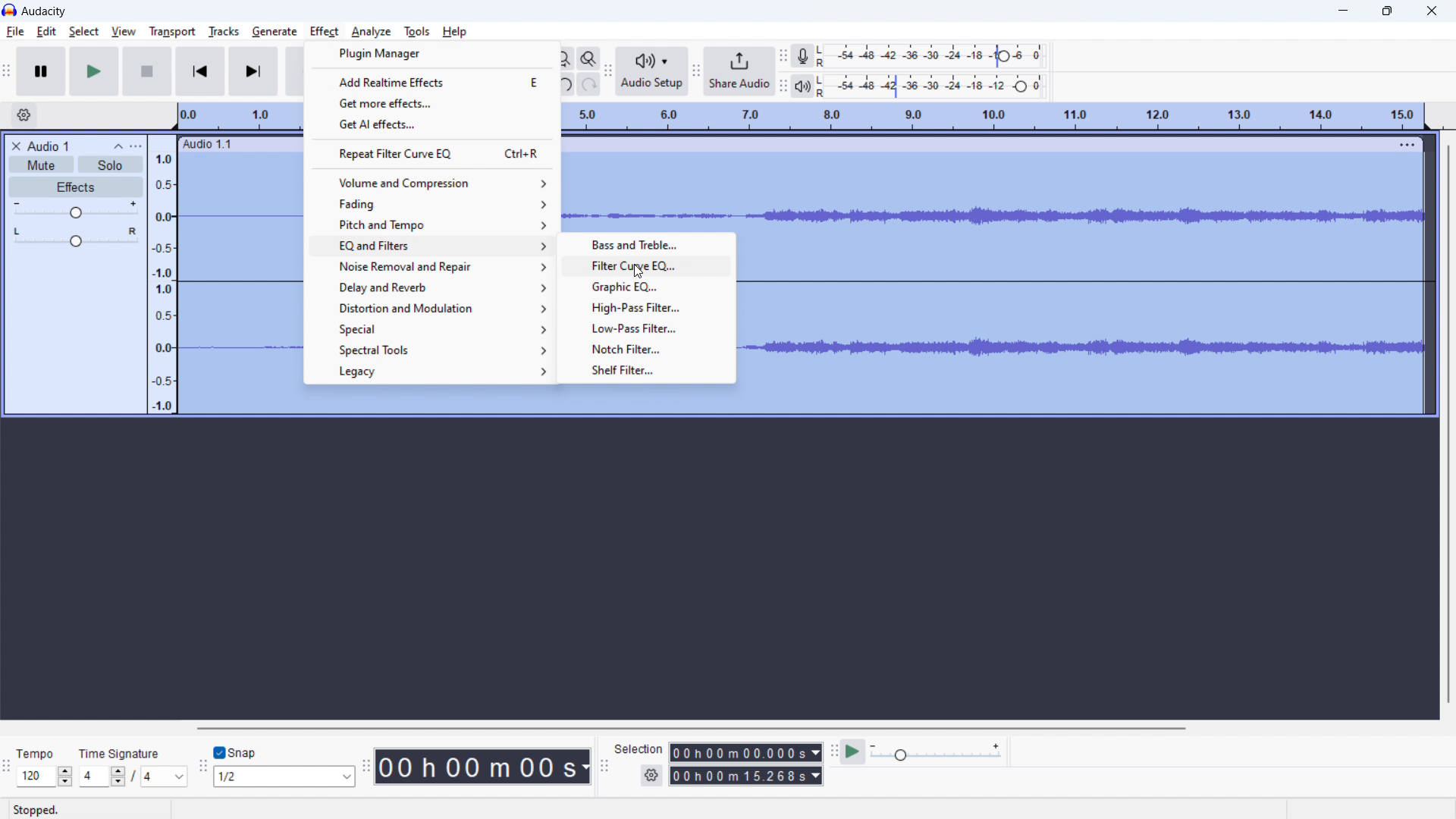 This screenshot has width=1456, height=819. I want to click on redo, so click(591, 83).